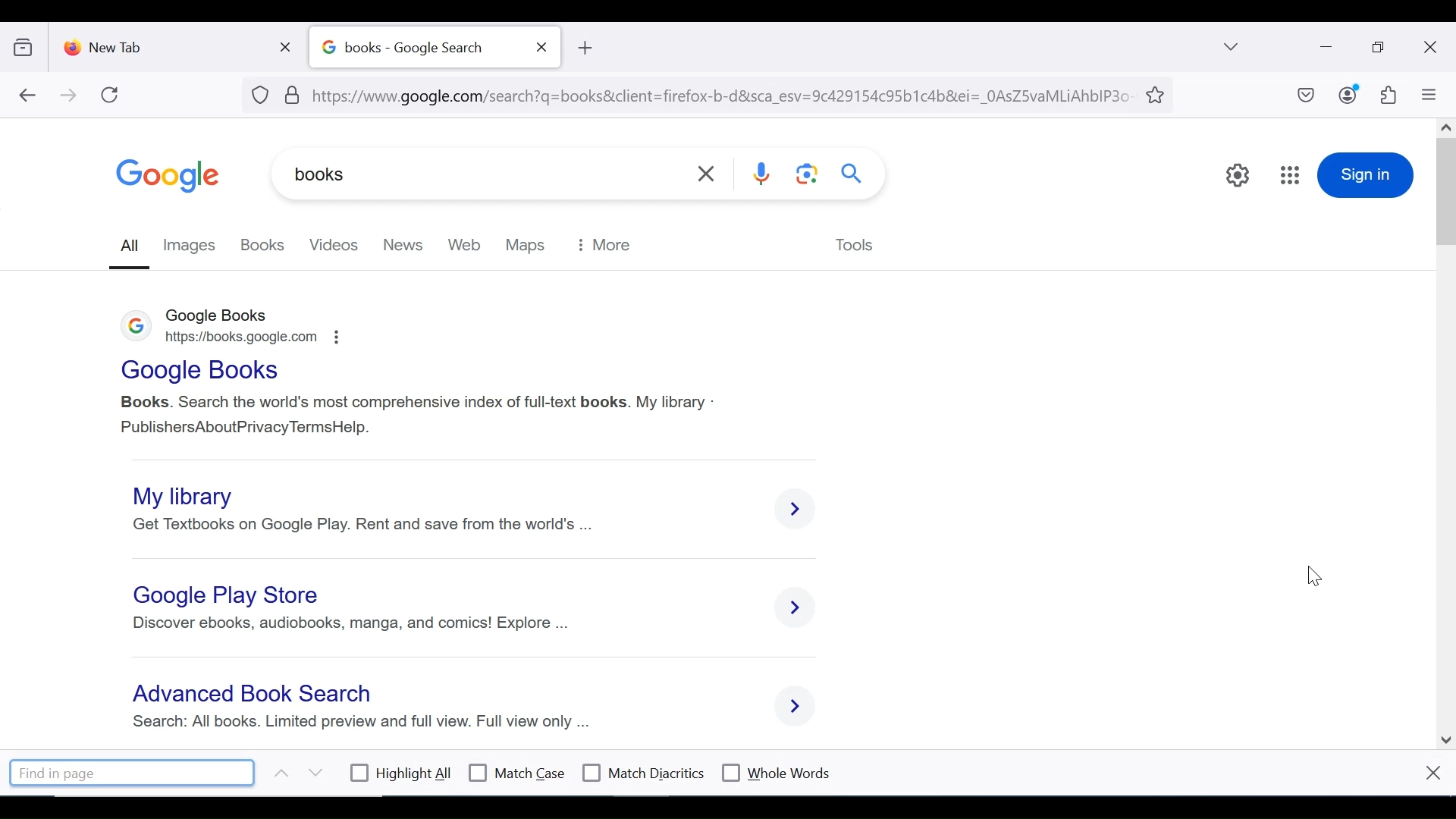 The width and height of the screenshot is (1456, 819). What do you see at coordinates (1387, 96) in the screenshot?
I see `extensions` at bounding box center [1387, 96].